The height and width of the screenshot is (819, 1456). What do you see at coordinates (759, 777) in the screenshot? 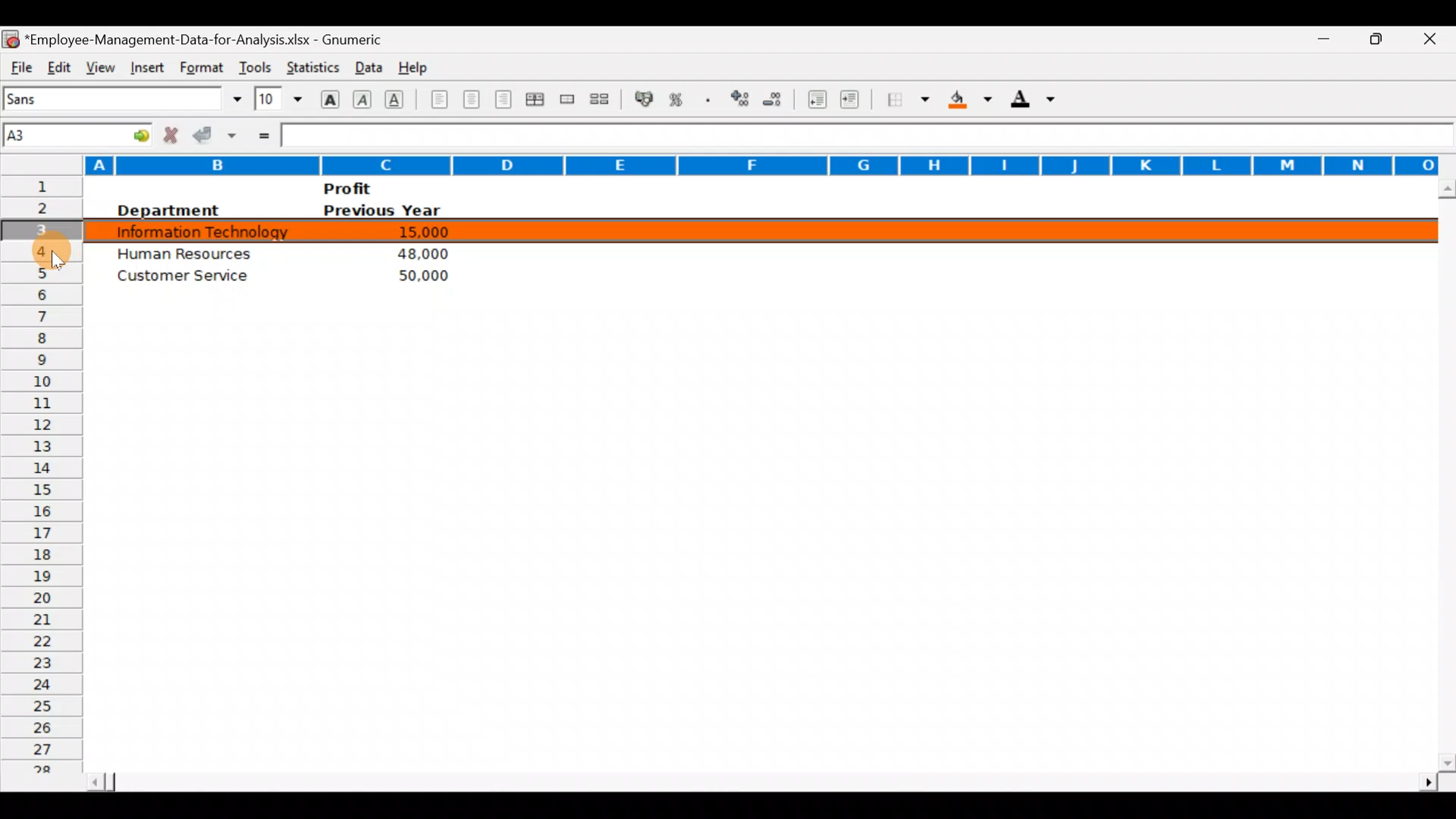
I see `Scroll bar` at bounding box center [759, 777].